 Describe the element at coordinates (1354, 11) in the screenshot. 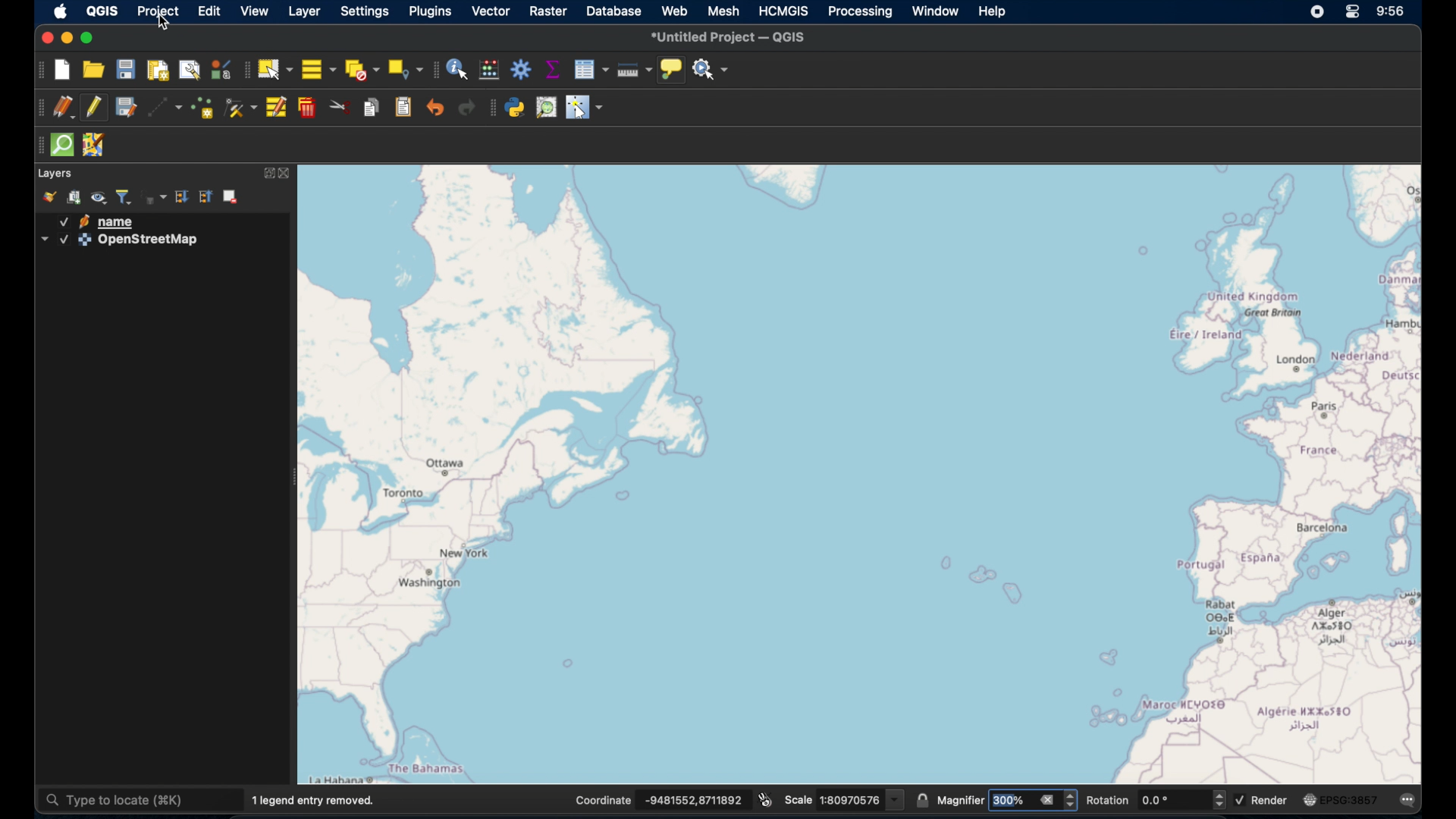

I see `control center` at that location.